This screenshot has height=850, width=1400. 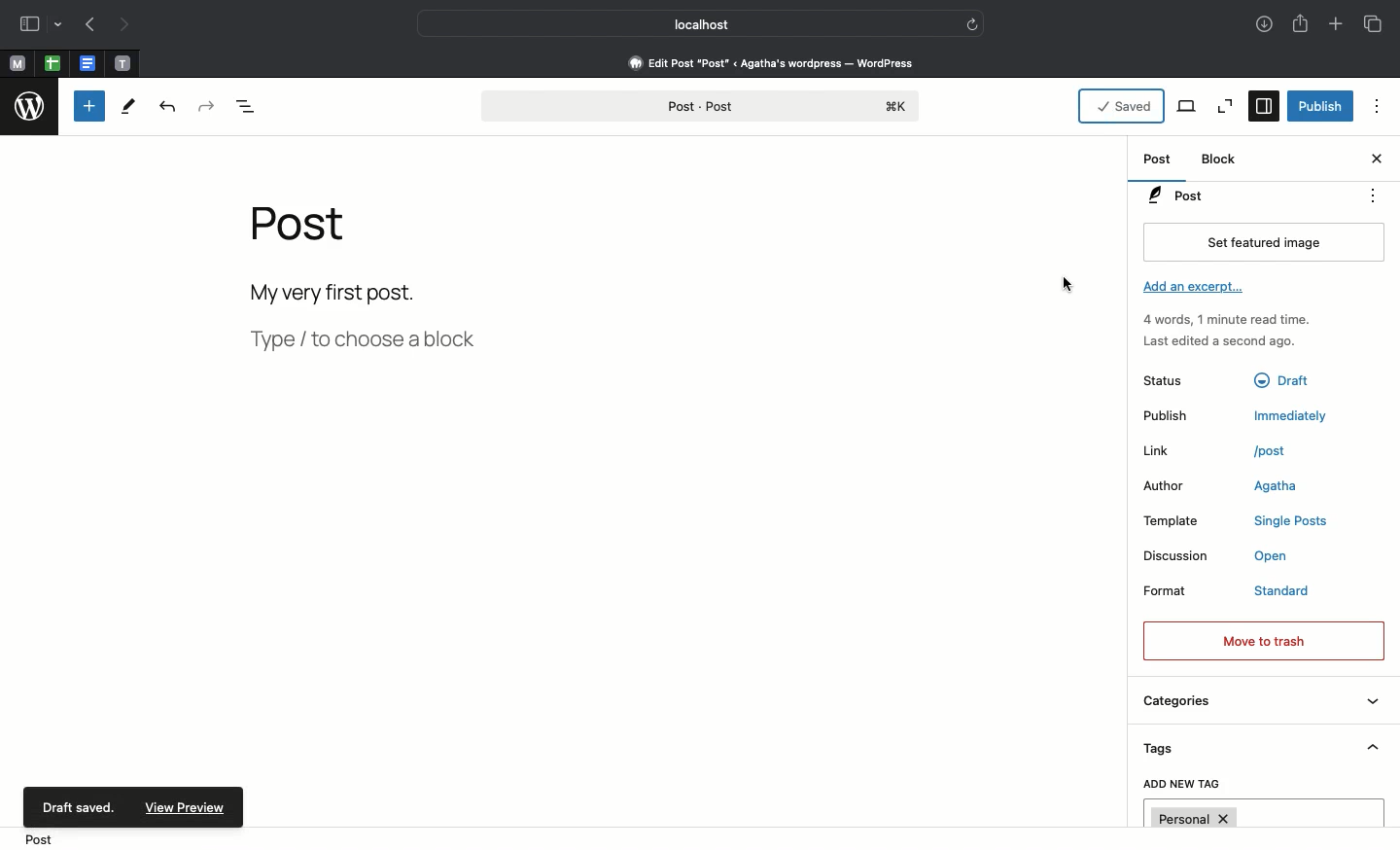 I want to click on Undo, so click(x=172, y=107).